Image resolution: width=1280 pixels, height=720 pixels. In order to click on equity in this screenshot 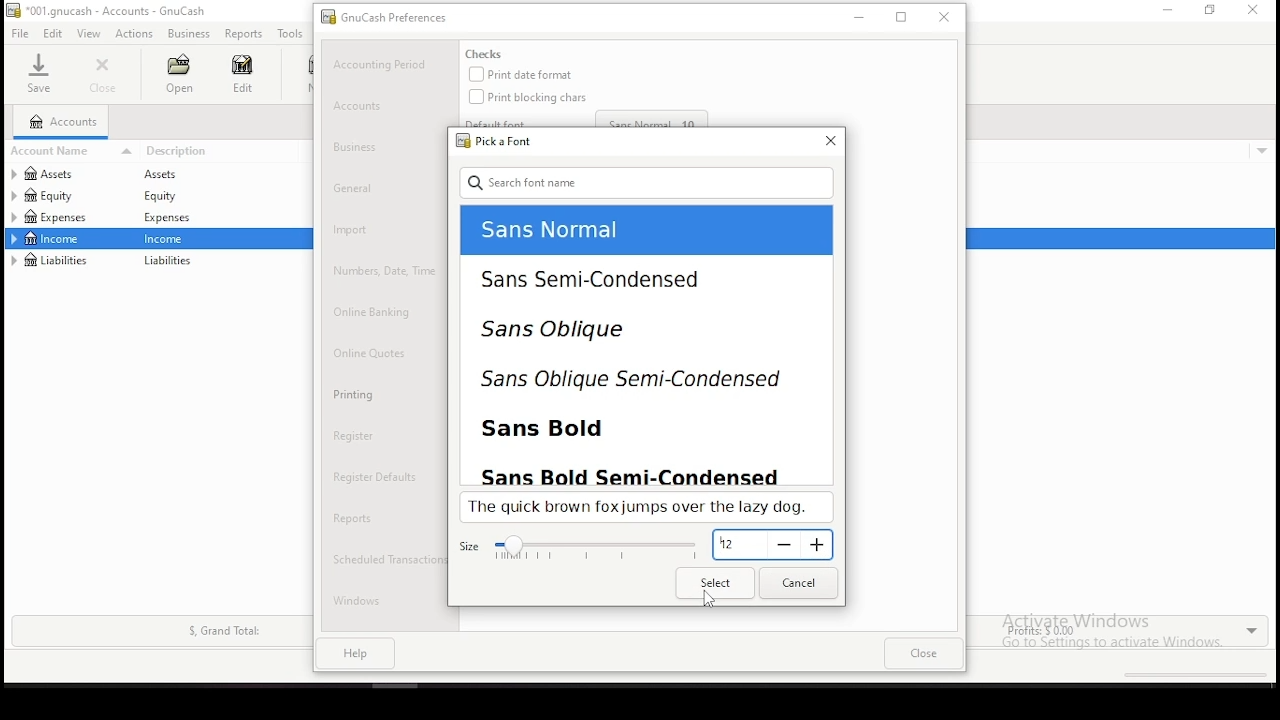, I will do `click(165, 196)`.